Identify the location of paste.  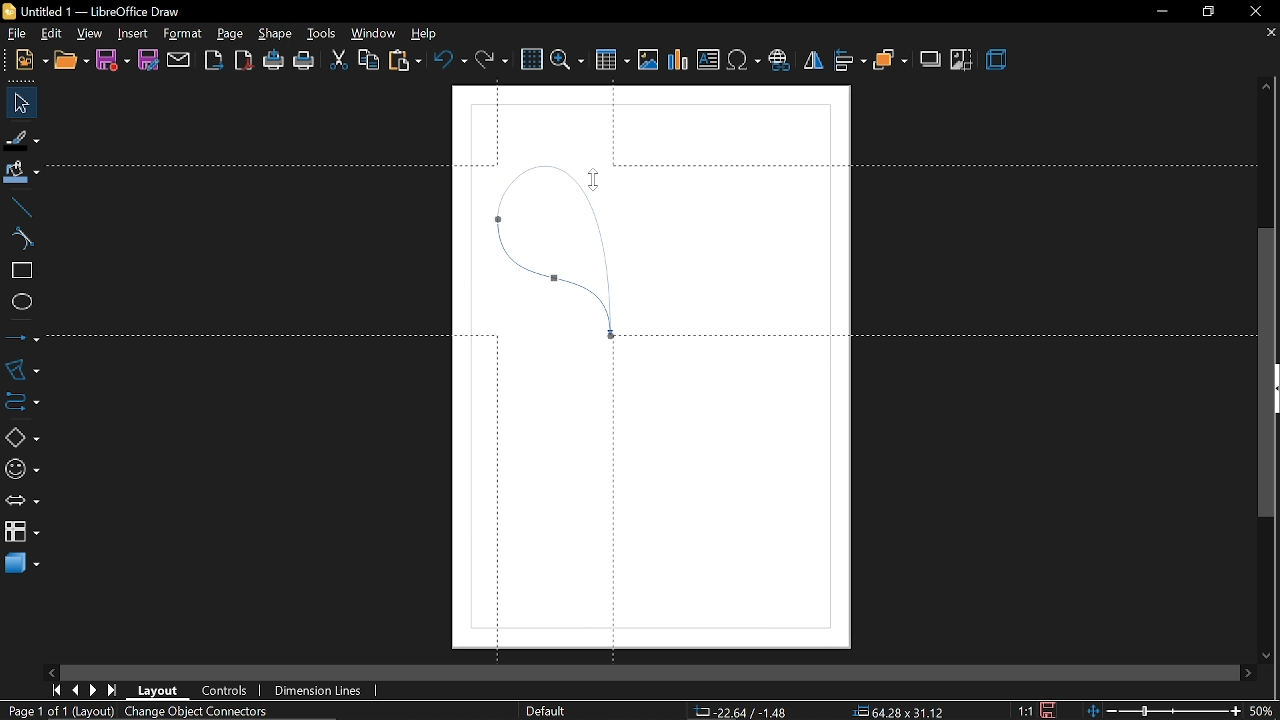
(404, 61).